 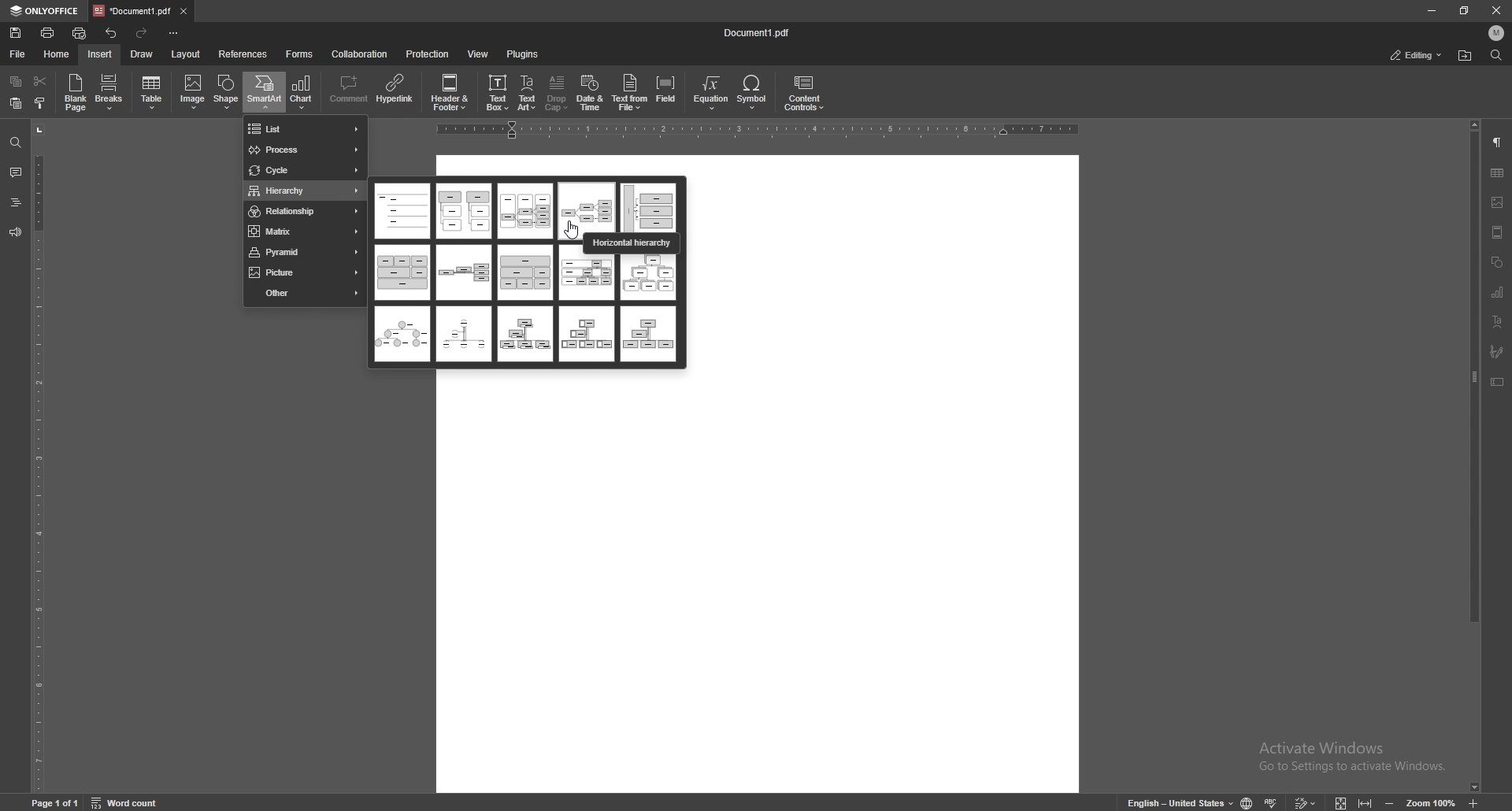 I want to click on comment, so click(x=17, y=172).